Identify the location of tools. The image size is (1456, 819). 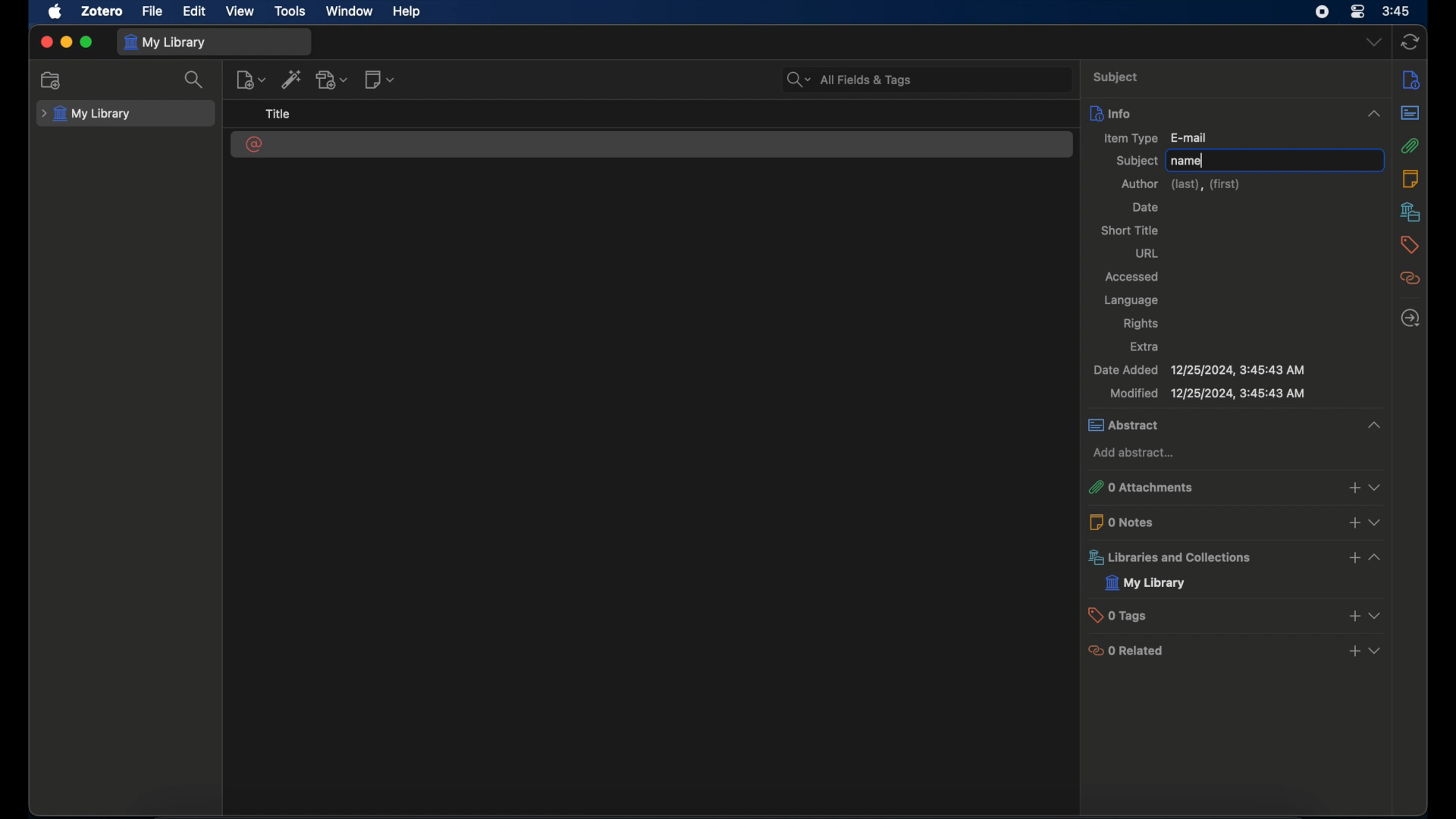
(290, 11).